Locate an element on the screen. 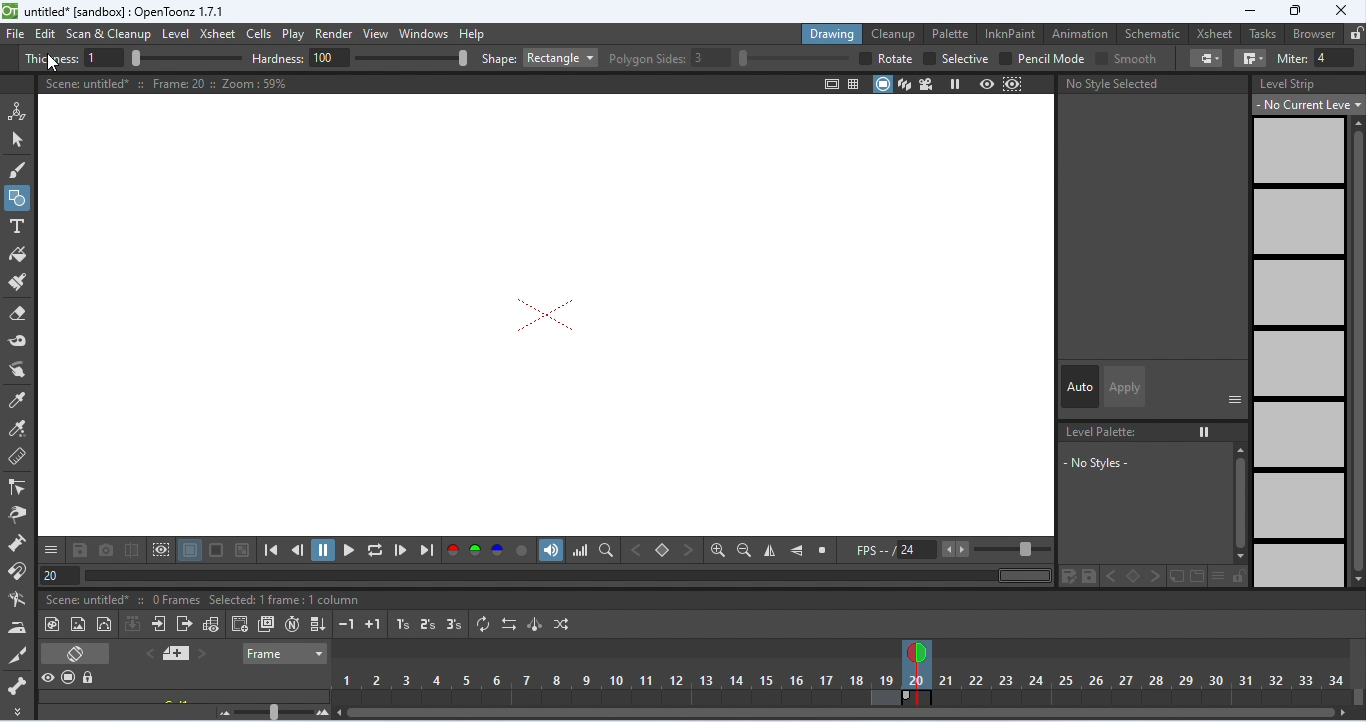  zoom 59% is located at coordinates (249, 83).